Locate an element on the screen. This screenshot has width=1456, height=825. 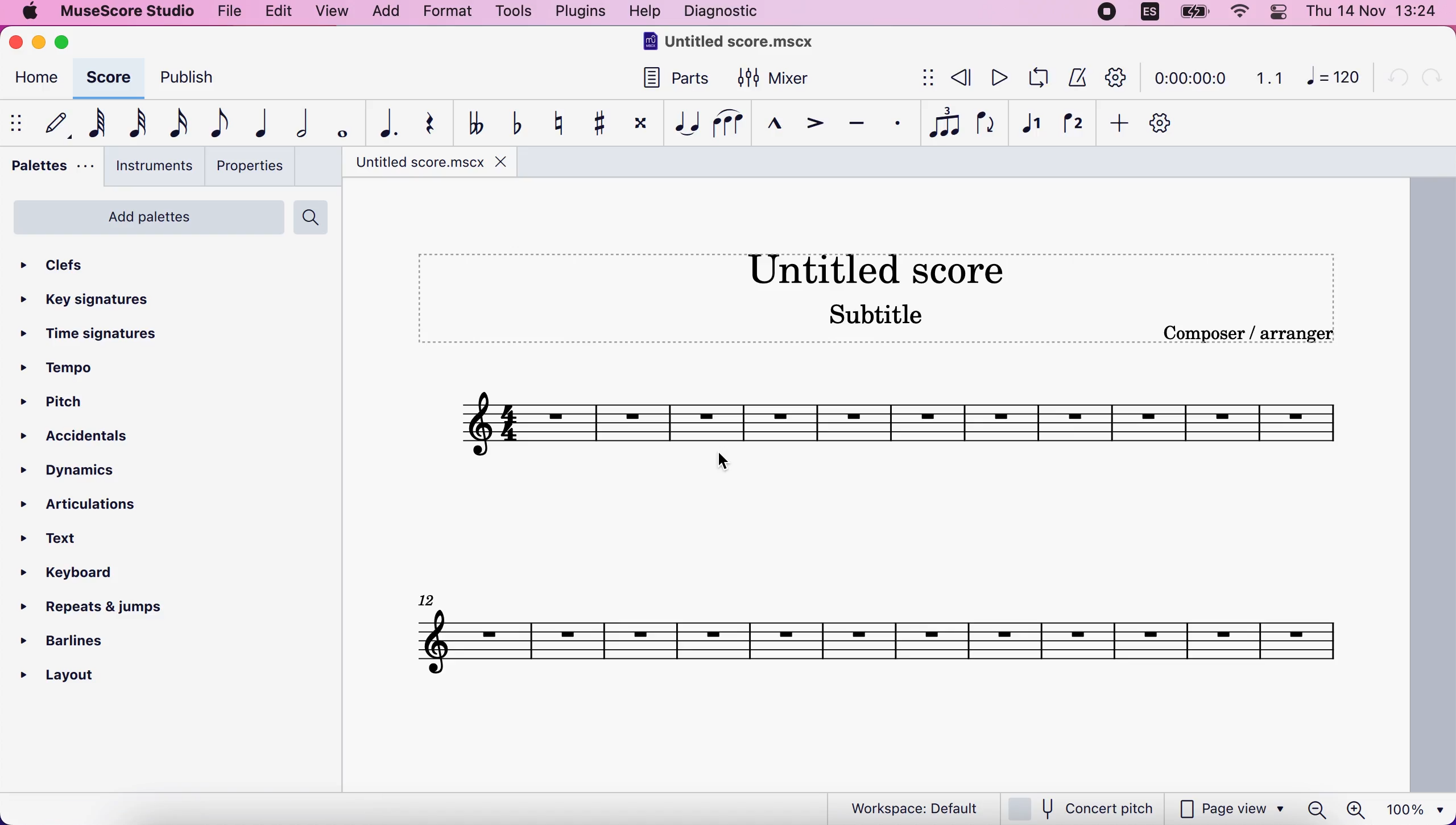
close is located at coordinates (14, 44).